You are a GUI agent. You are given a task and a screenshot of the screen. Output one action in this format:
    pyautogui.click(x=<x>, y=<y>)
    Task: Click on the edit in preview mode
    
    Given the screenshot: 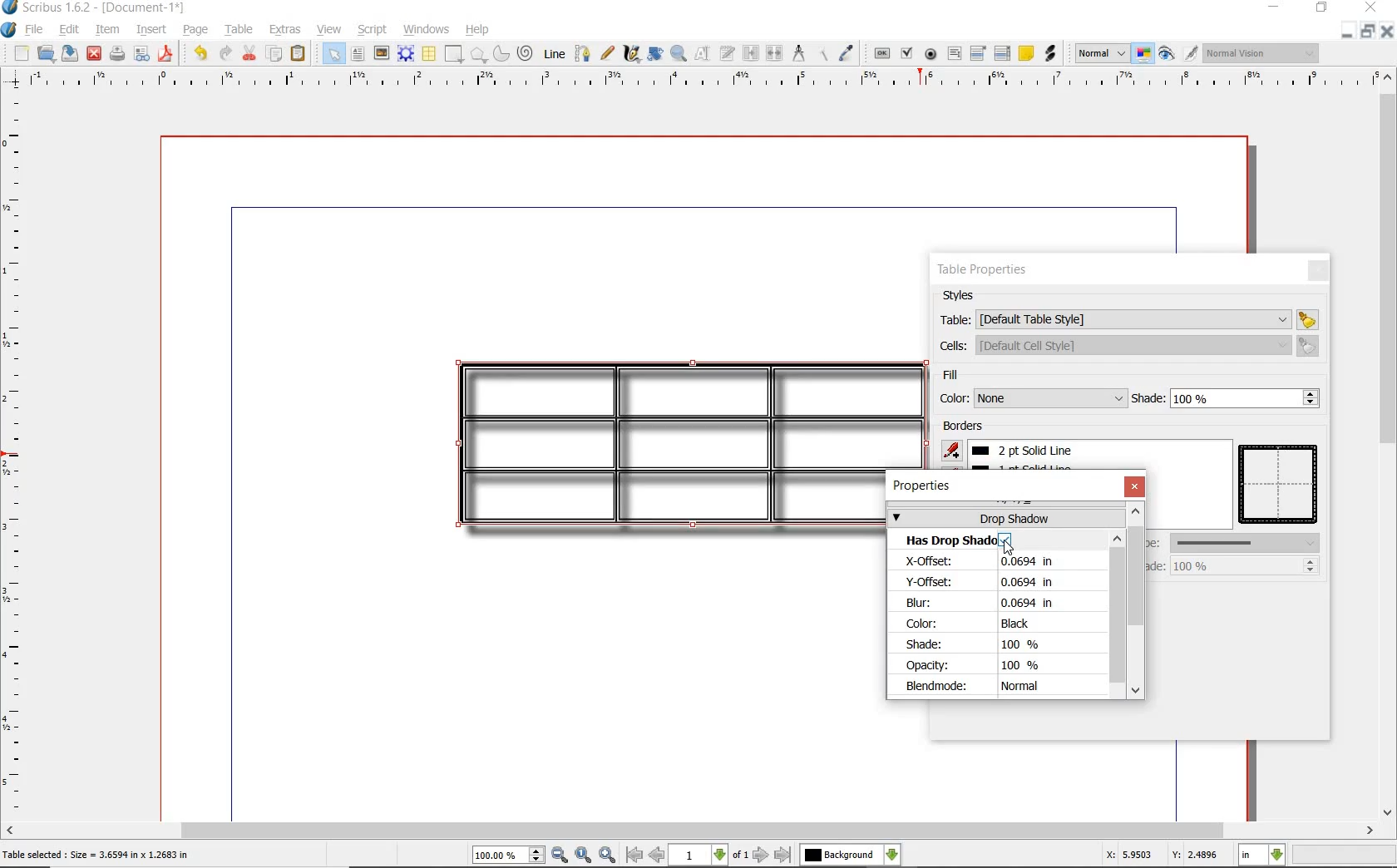 What is the action you would take?
    pyautogui.click(x=1190, y=54)
    